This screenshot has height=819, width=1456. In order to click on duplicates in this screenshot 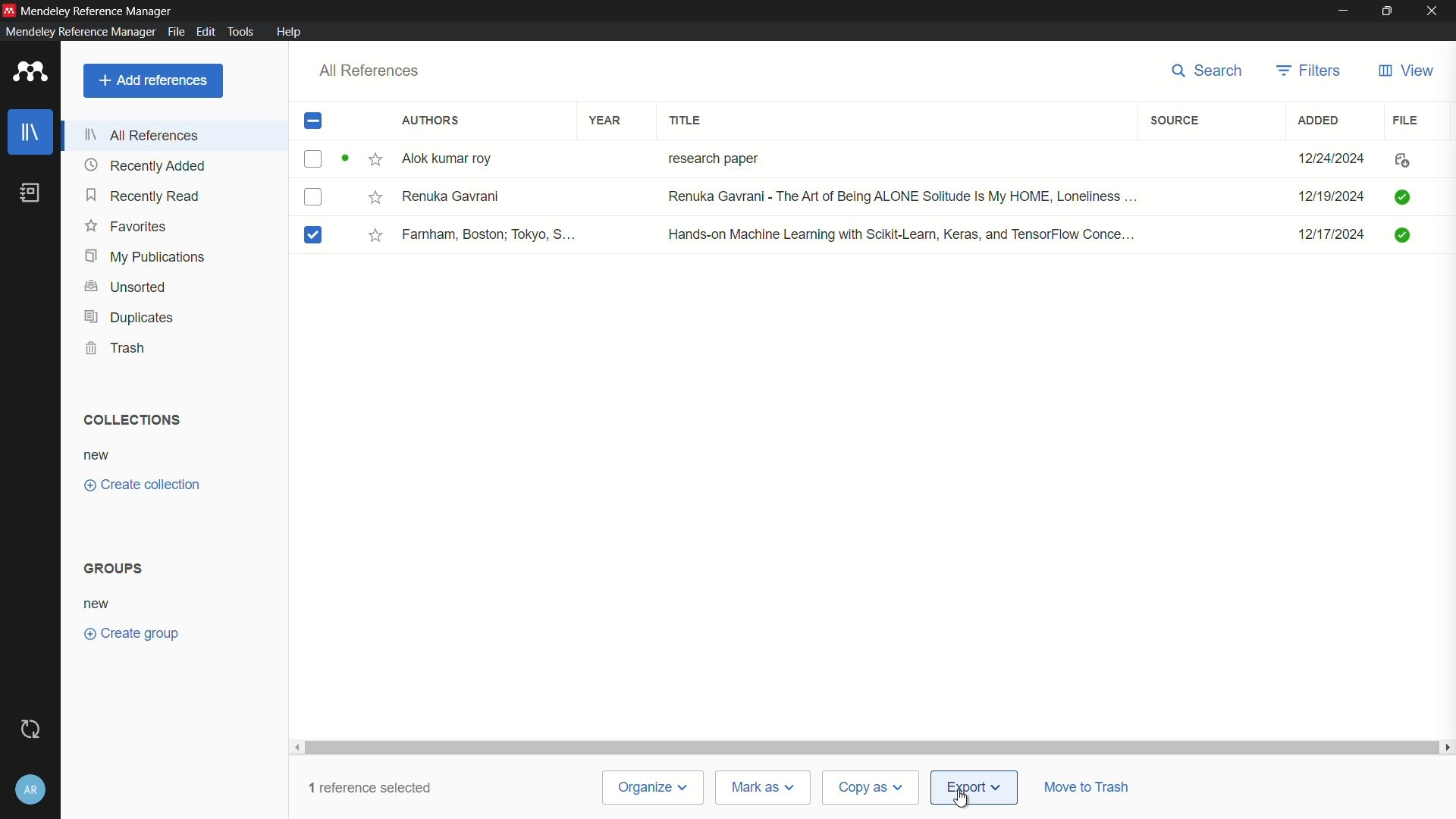, I will do `click(132, 318)`.